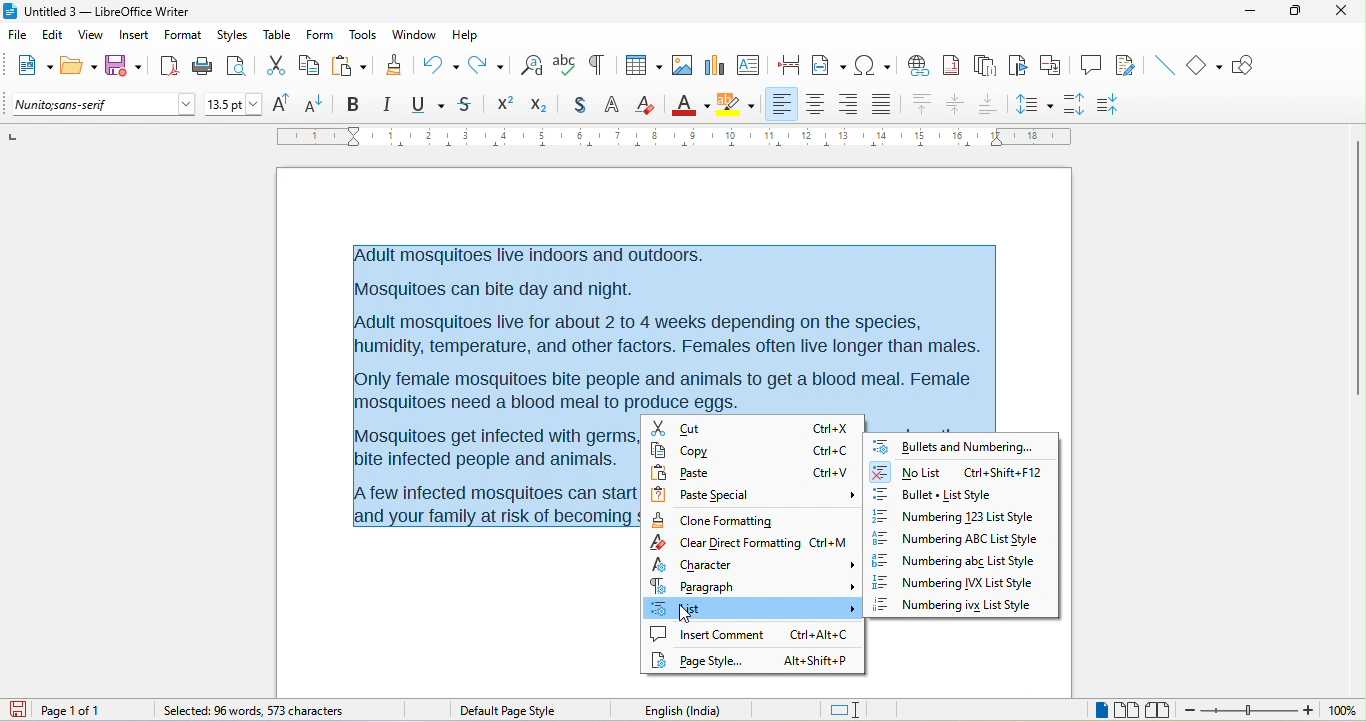  Describe the element at coordinates (1127, 64) in the screenshot. I see `show track changes function` at that location.